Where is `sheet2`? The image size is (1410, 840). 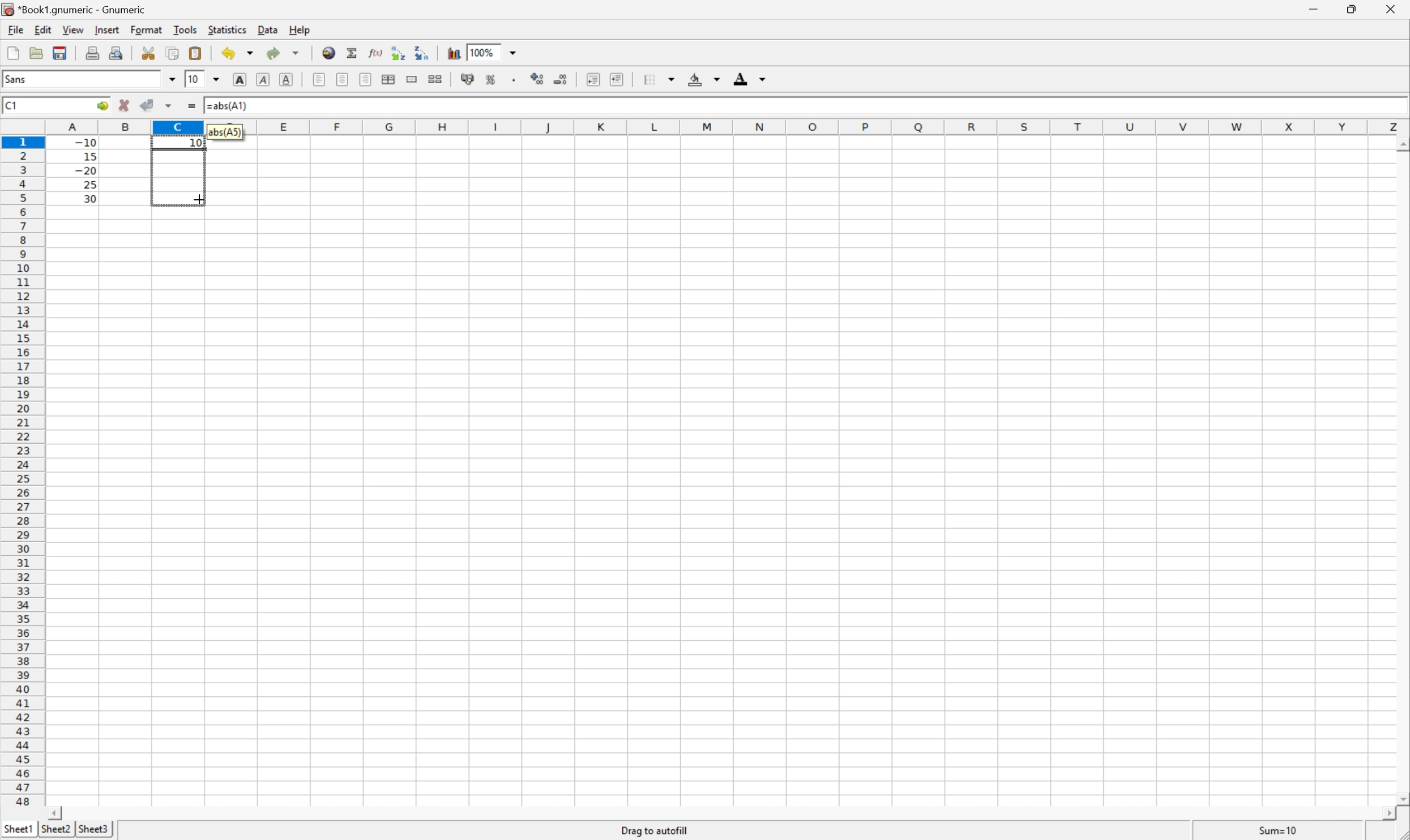
sheet2 is located at coordinates (55, 830).